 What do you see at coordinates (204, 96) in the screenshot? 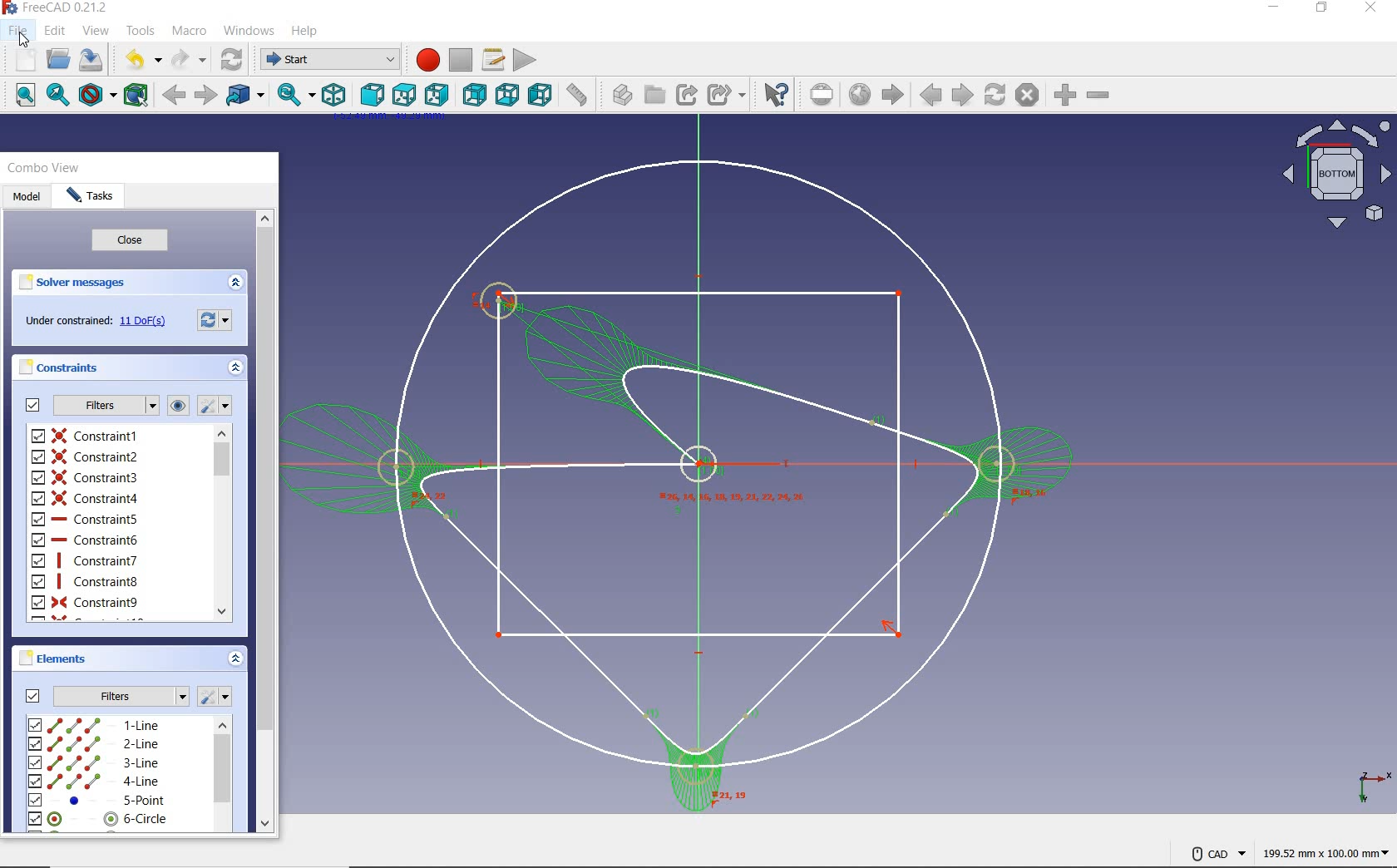
I see `forward` at bounding box center [204, 96].